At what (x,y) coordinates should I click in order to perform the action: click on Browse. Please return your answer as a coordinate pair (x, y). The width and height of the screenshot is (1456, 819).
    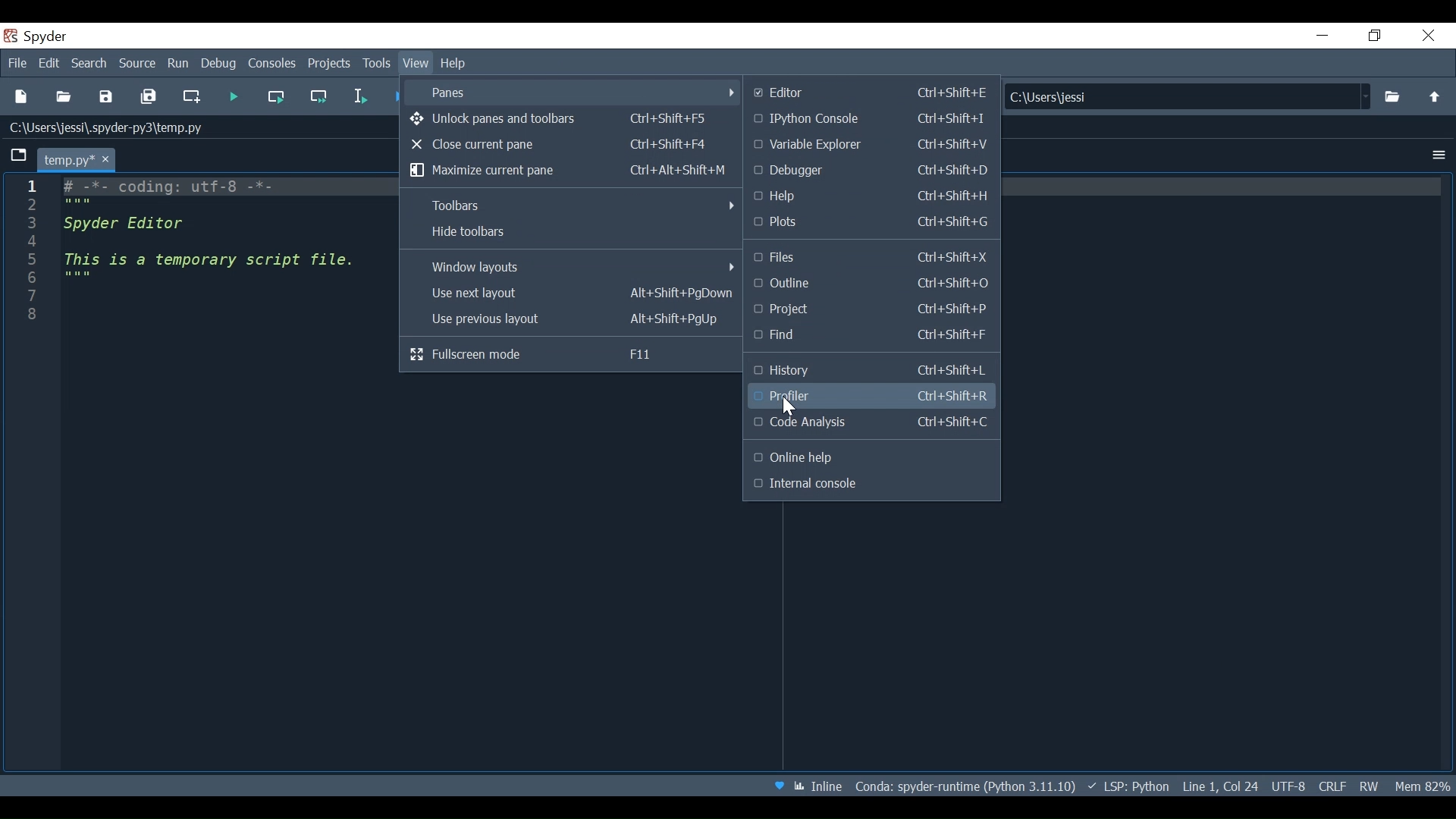
    Looking at the image, I should click on (1393, 96).